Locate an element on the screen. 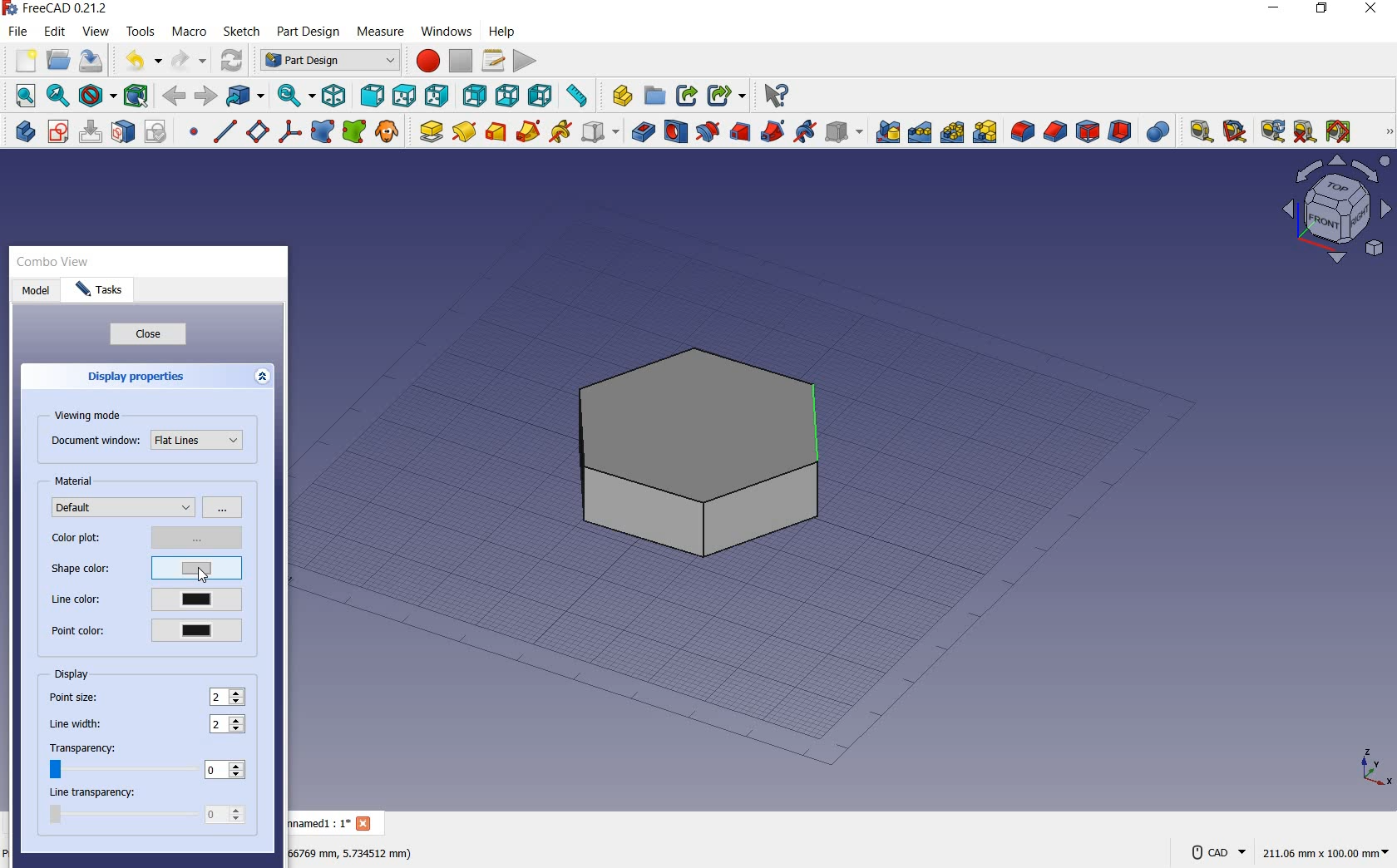 Image resolution: width=1397 pixels, height=868 pixels. isometric is located at coordinates (337, 97).